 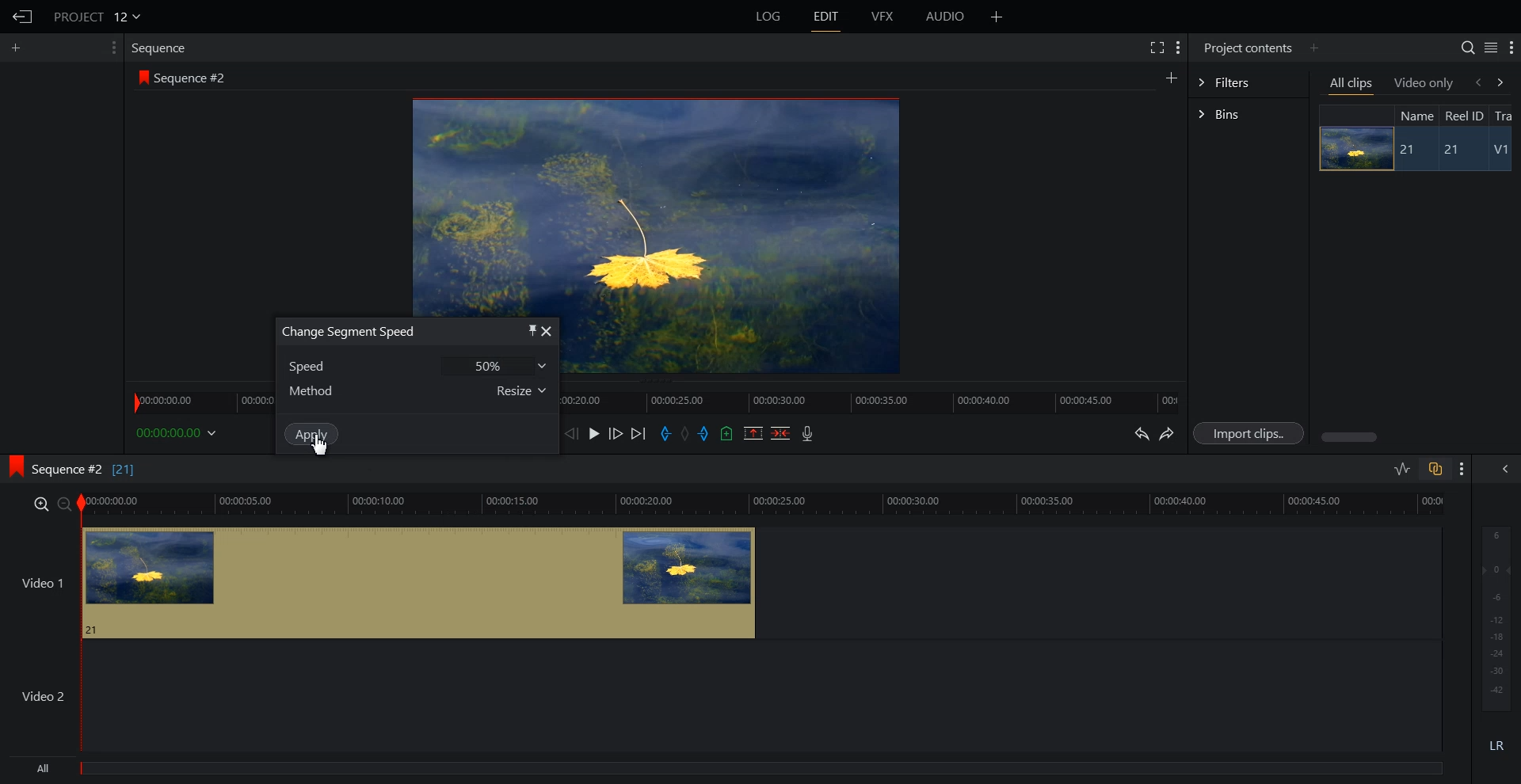 I want to click on Change Segment Speed, so click(x=346, y=330).